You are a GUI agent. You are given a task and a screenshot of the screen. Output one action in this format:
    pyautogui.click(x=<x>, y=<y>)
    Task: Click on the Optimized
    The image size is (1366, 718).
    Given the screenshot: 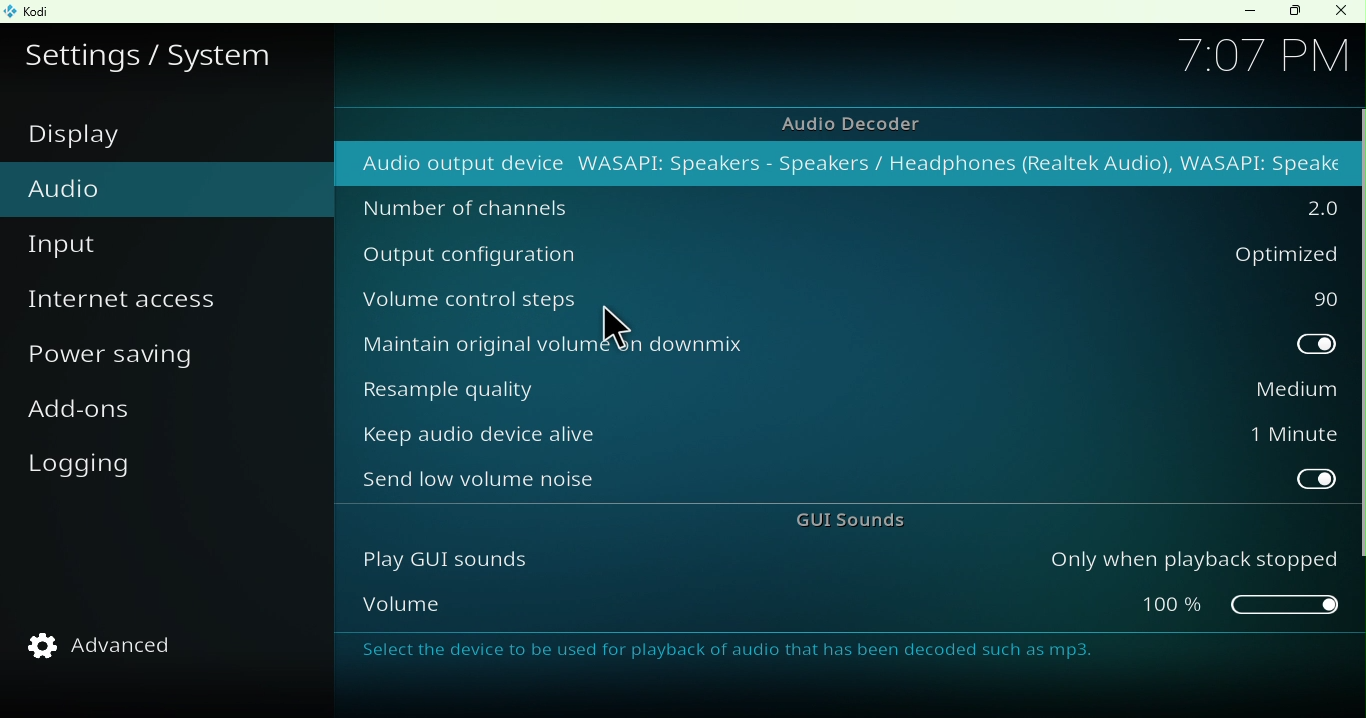 What is the action you would take?
    pyautogui.click(x=1220, y=254)
    